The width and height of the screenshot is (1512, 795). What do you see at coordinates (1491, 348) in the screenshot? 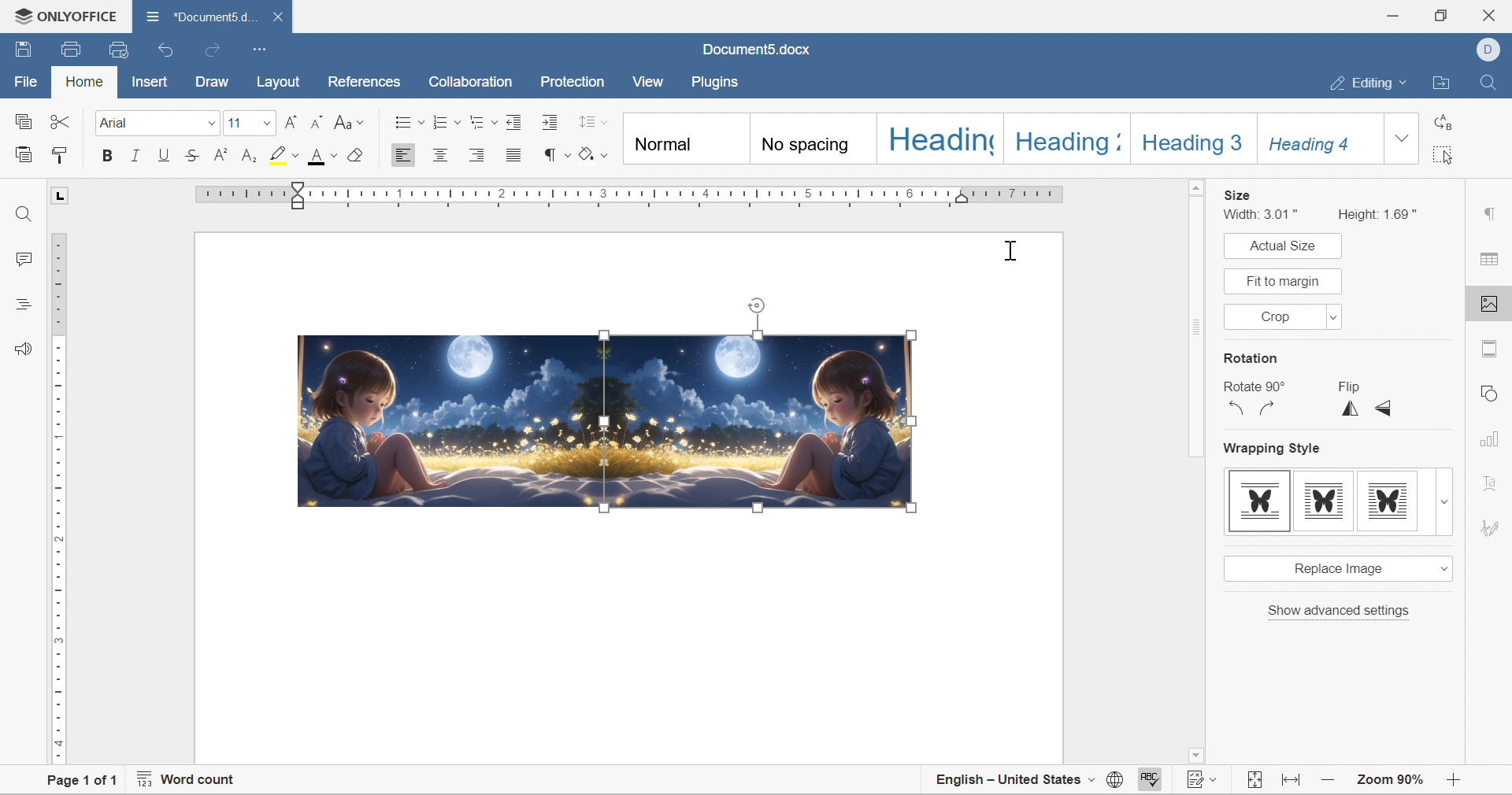
I see `header and foot settings` at bounding box center [1491, 348].